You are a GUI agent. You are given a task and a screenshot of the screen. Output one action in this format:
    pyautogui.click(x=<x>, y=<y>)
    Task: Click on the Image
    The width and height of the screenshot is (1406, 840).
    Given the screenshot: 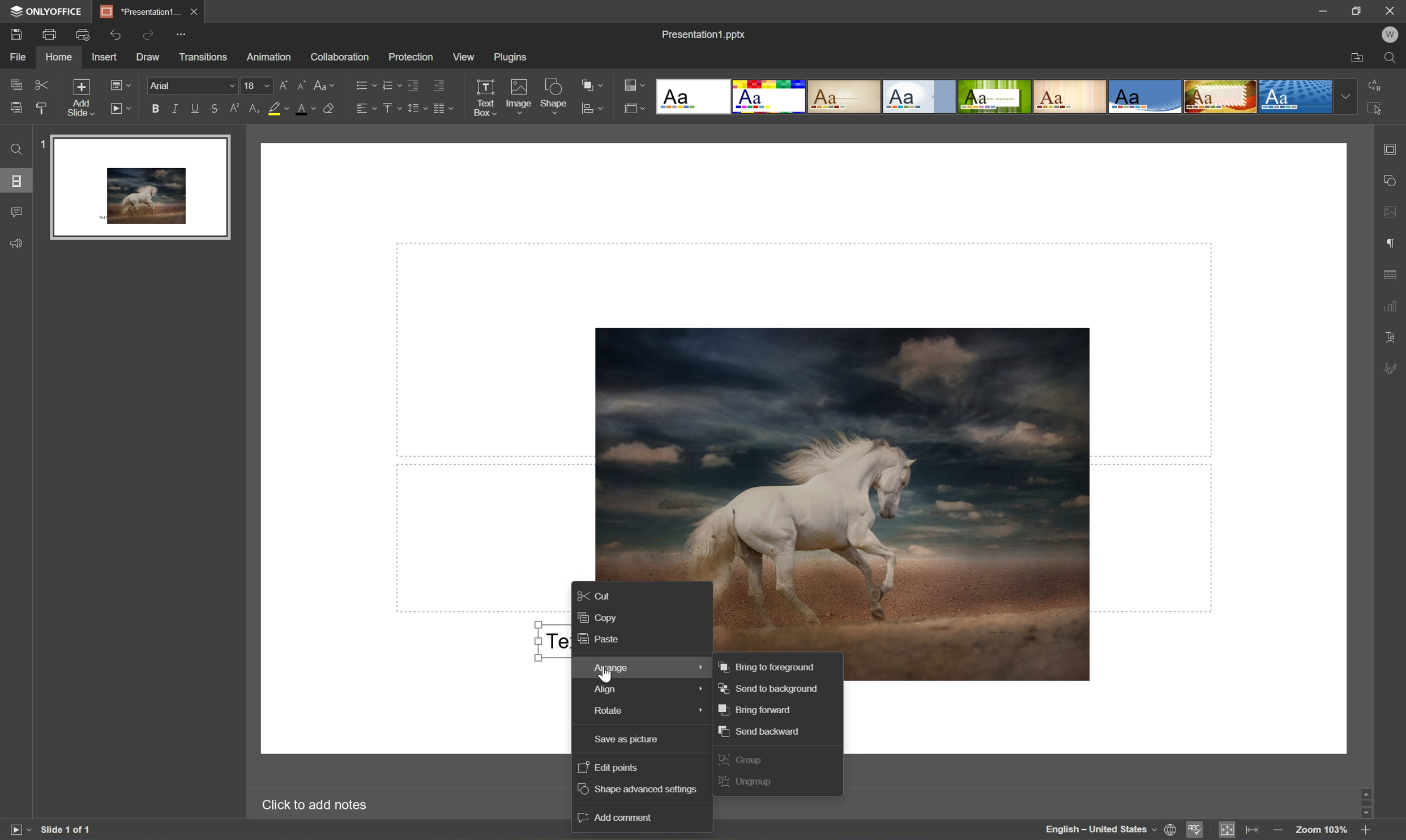 What is the action you would take?
    pyautogui.click(x=518, y=96)
    